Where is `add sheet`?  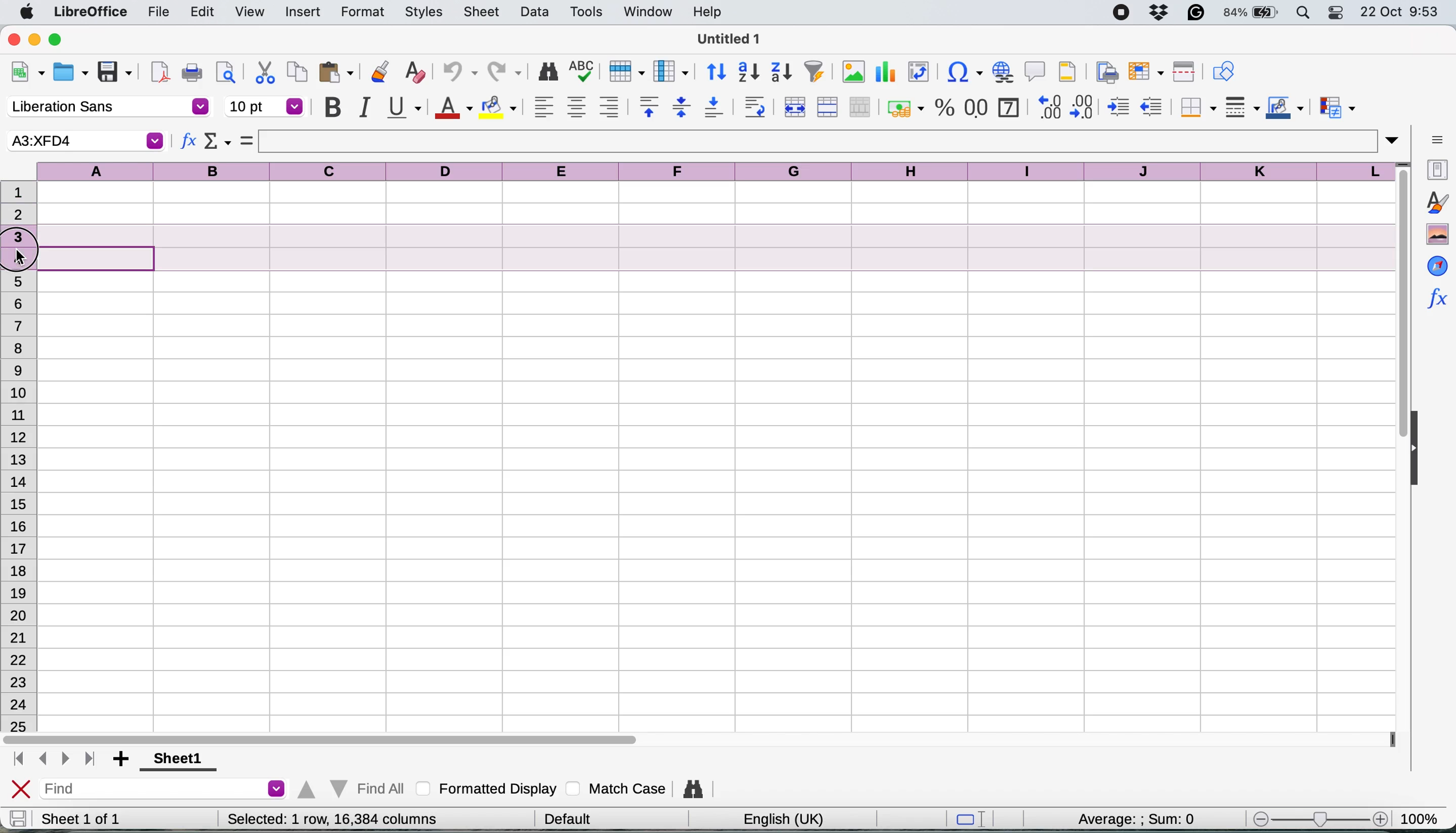
add sheet is located at coordinates (123, 760).